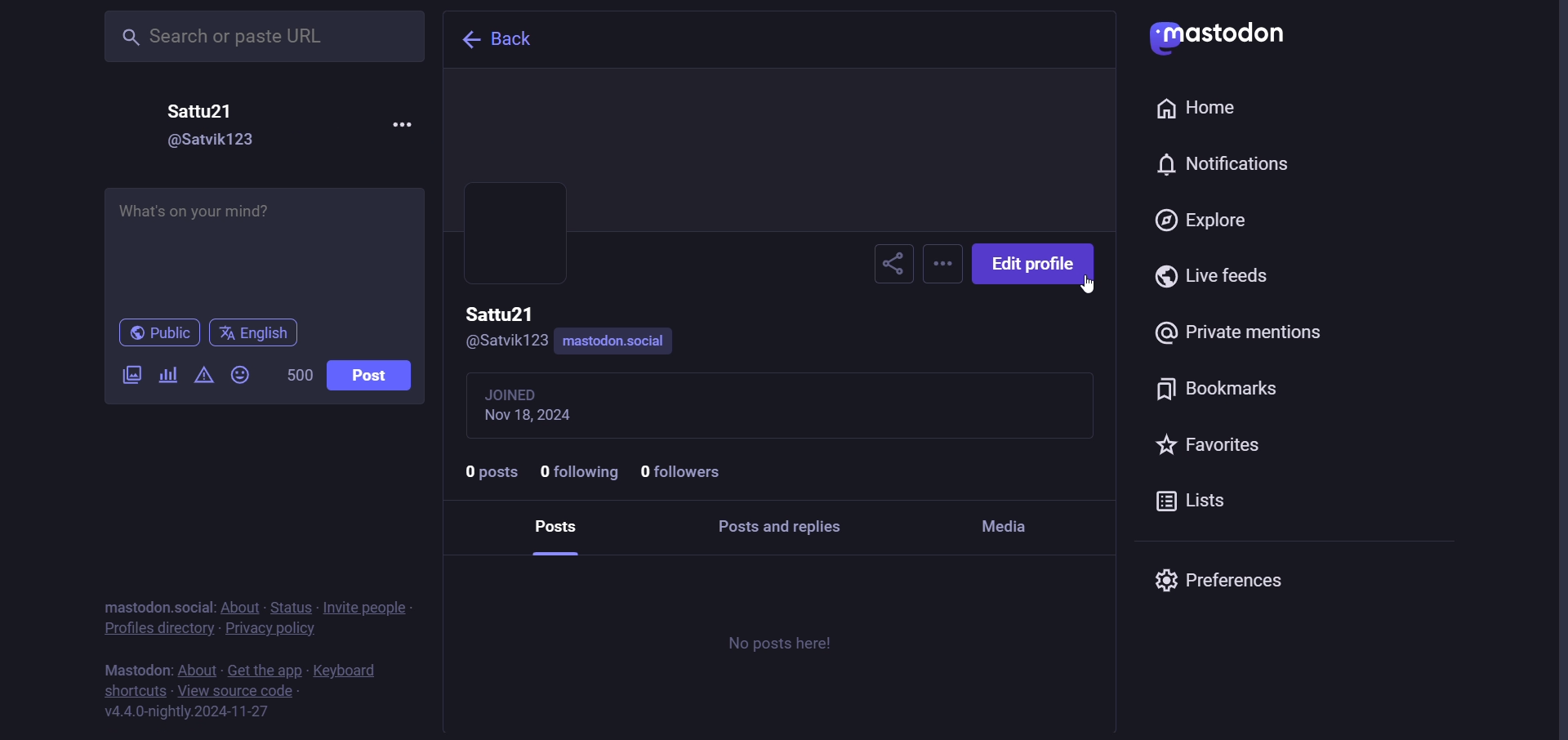 The height and width of the screenshot is (740, 1568). What do you see at coordinates (1240, 332) in the screenshot?
I see `private mentions` at bounding box center [1240, 332].